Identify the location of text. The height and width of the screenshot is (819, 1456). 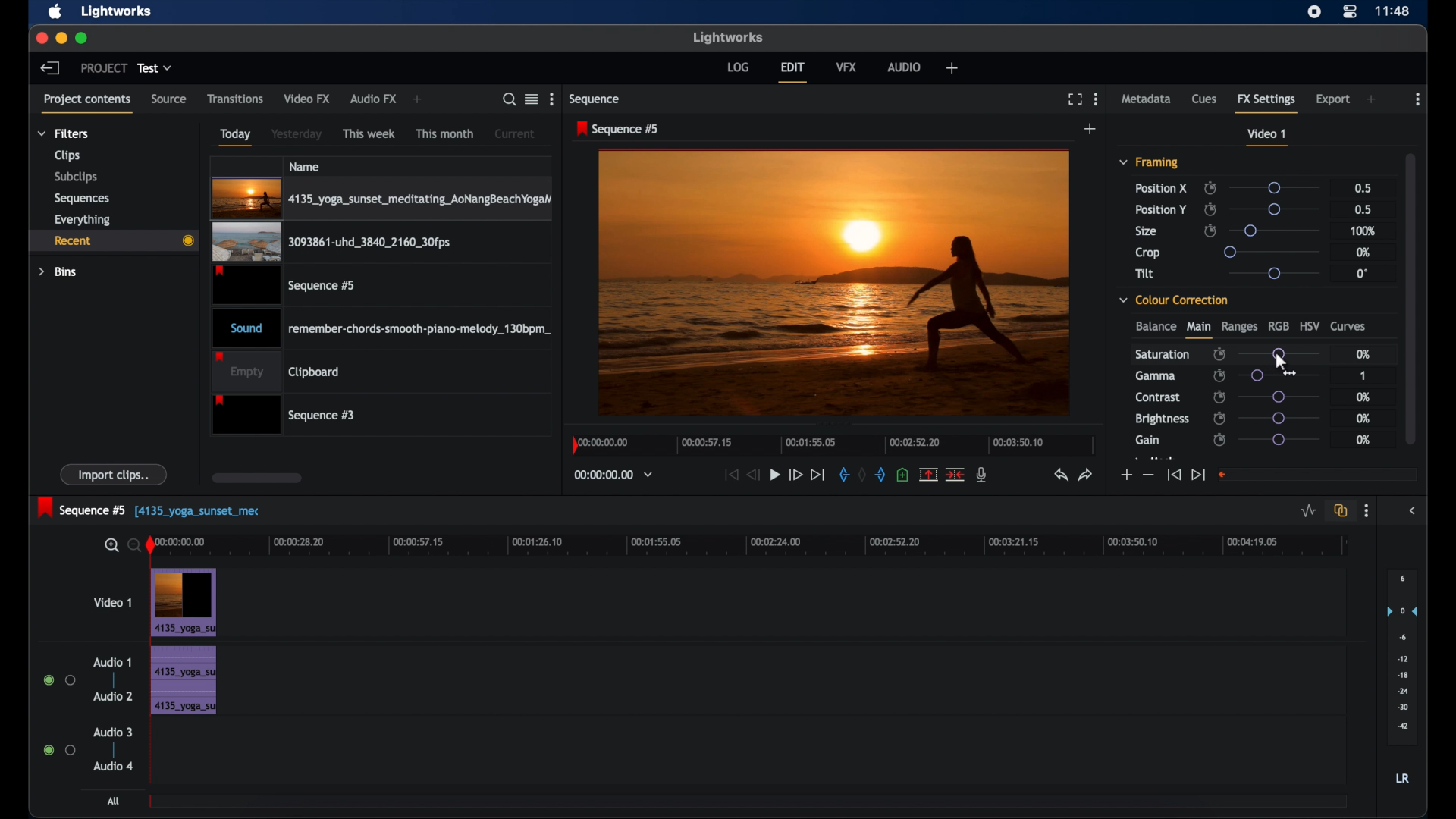
(200, 513).